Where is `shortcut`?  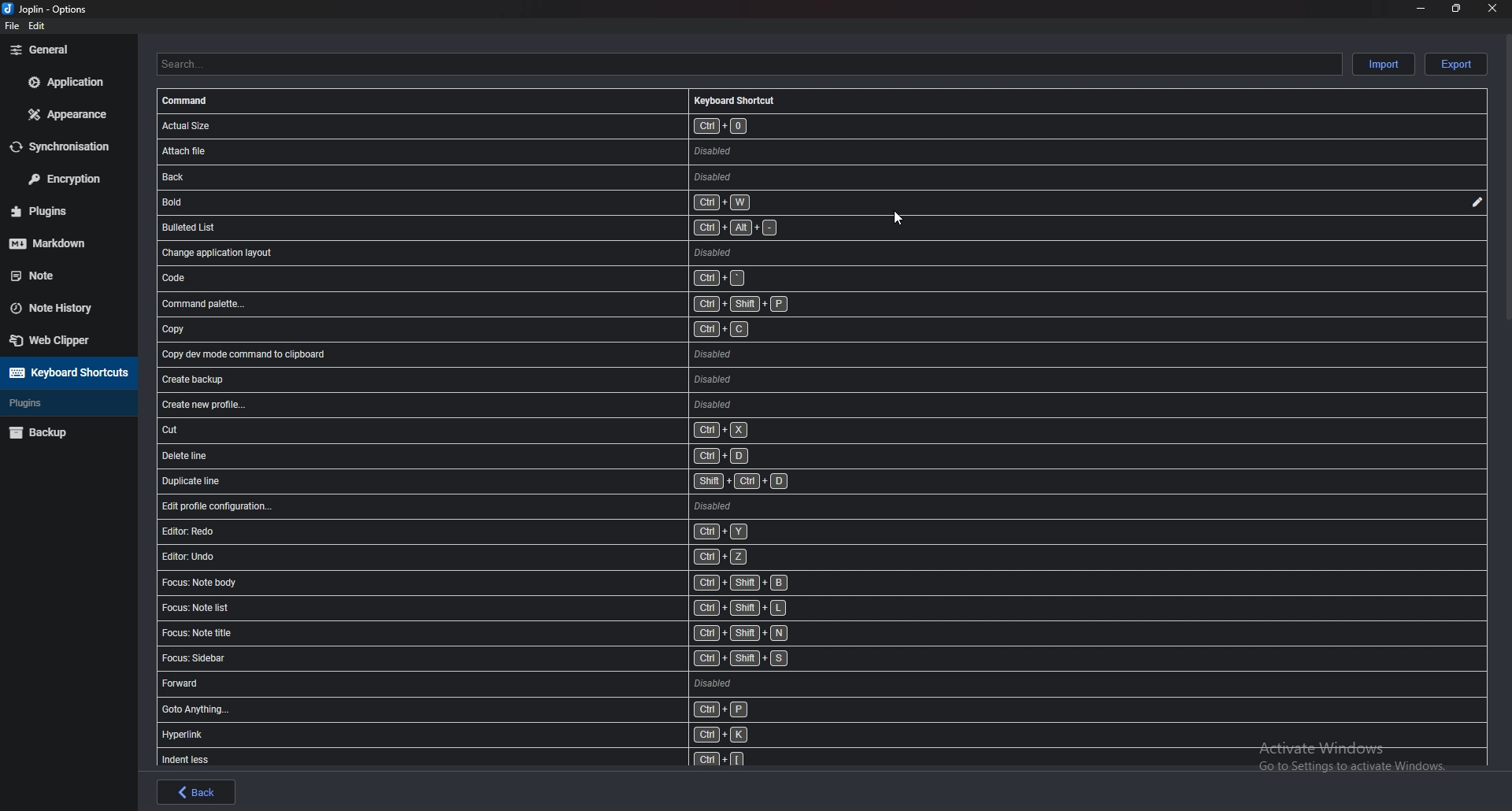 shortcut is located at coordinates (491, 306).